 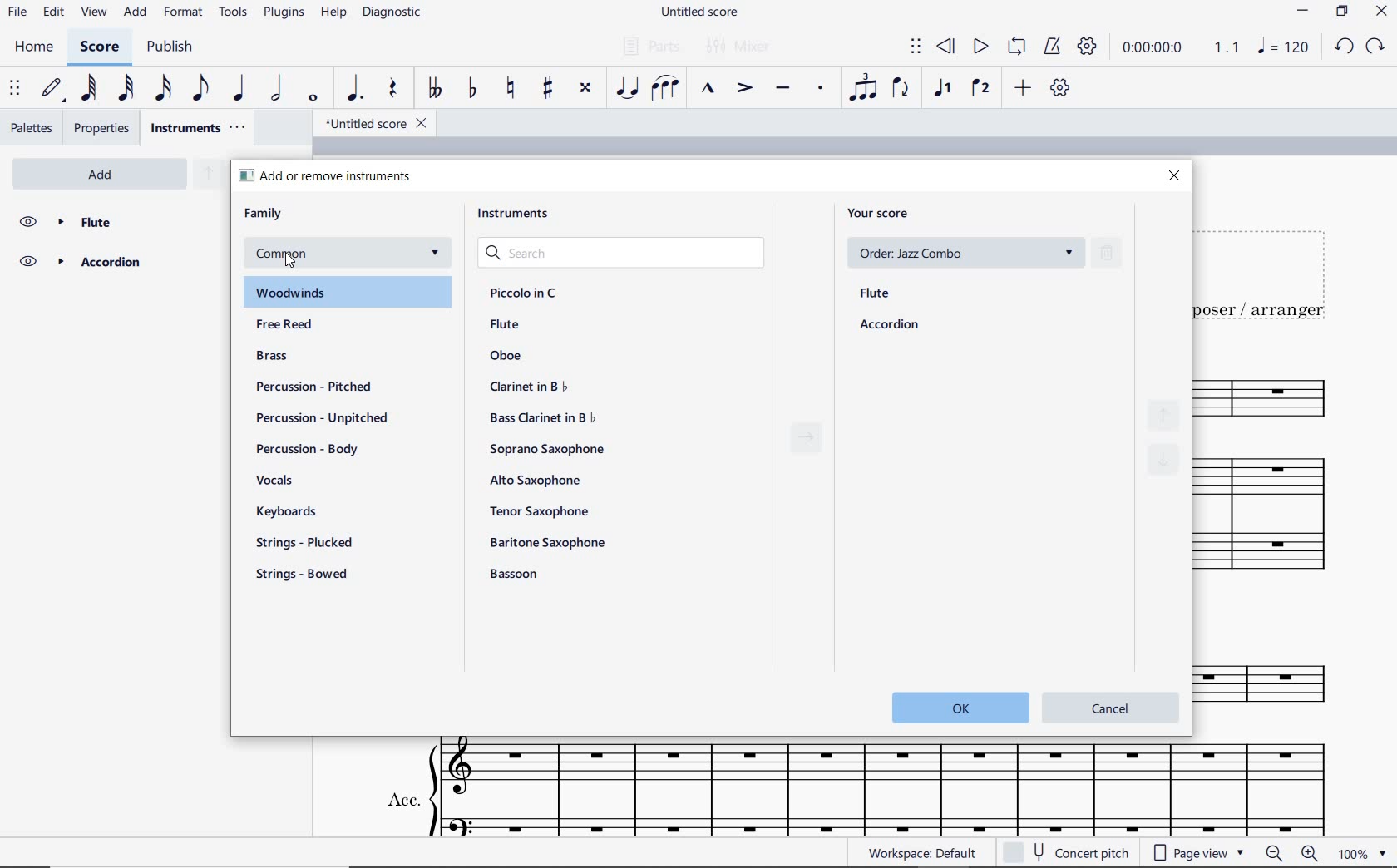 I want to click on page view, so click(x=1199, y=854).